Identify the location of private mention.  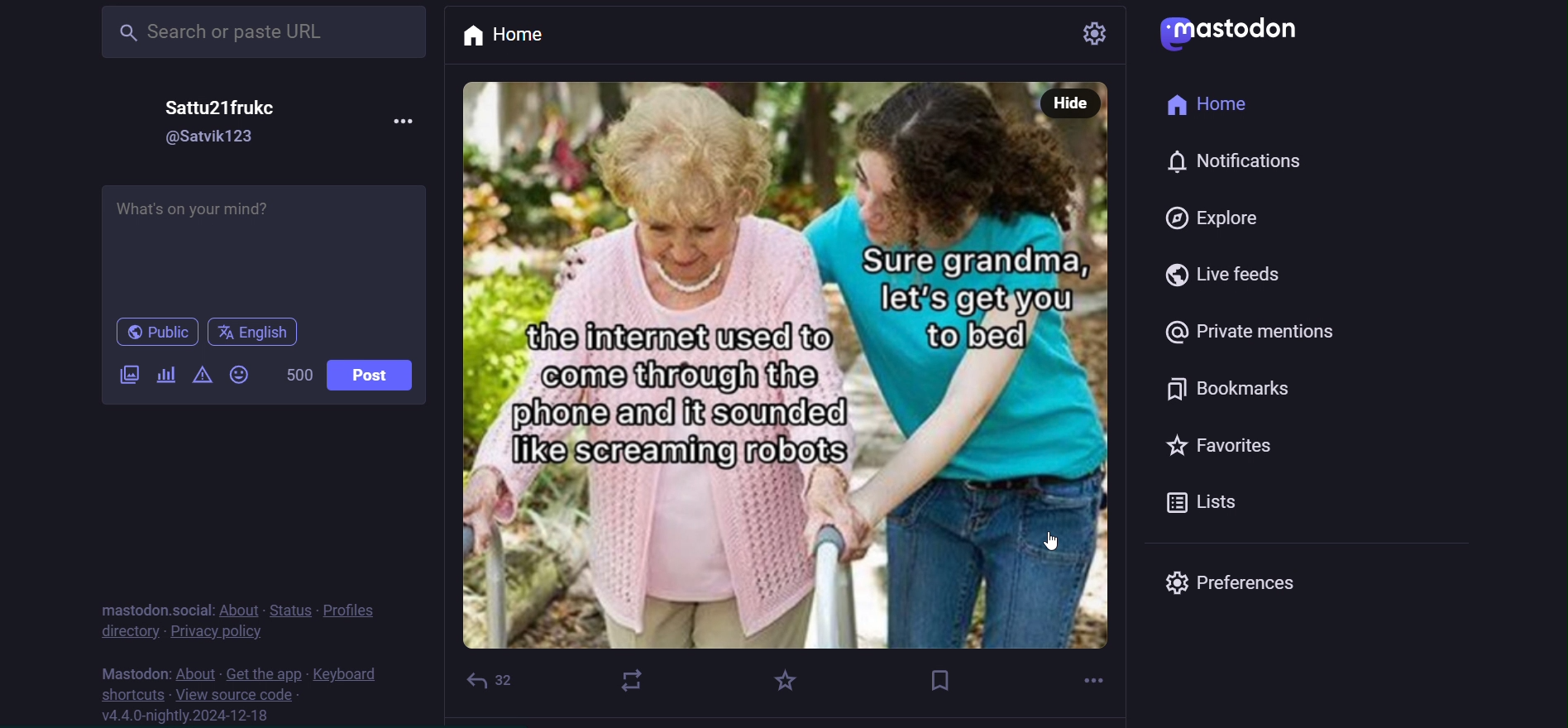
(1250, 331).